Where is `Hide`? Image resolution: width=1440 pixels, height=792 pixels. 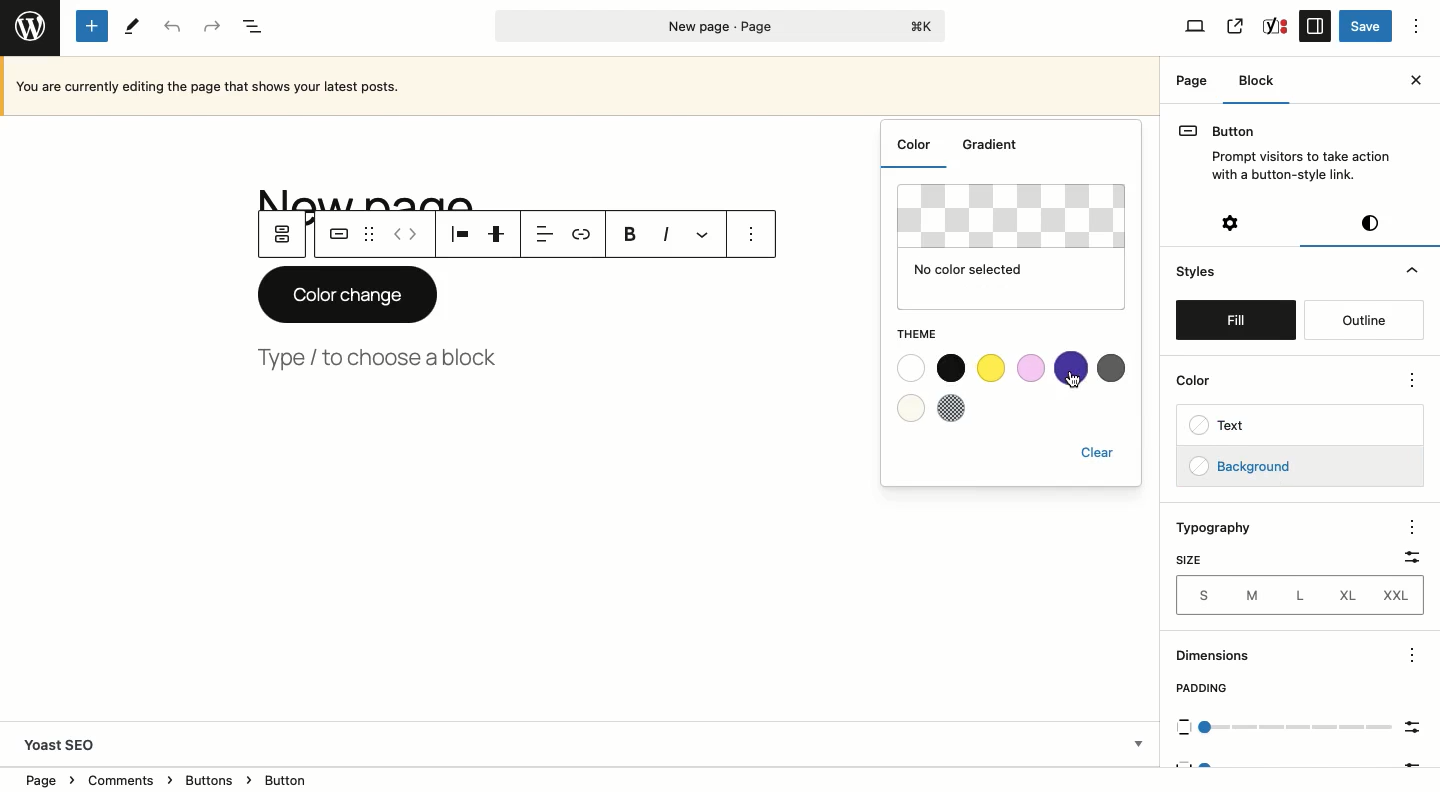 Hide is located at coordinates (1400, 270).